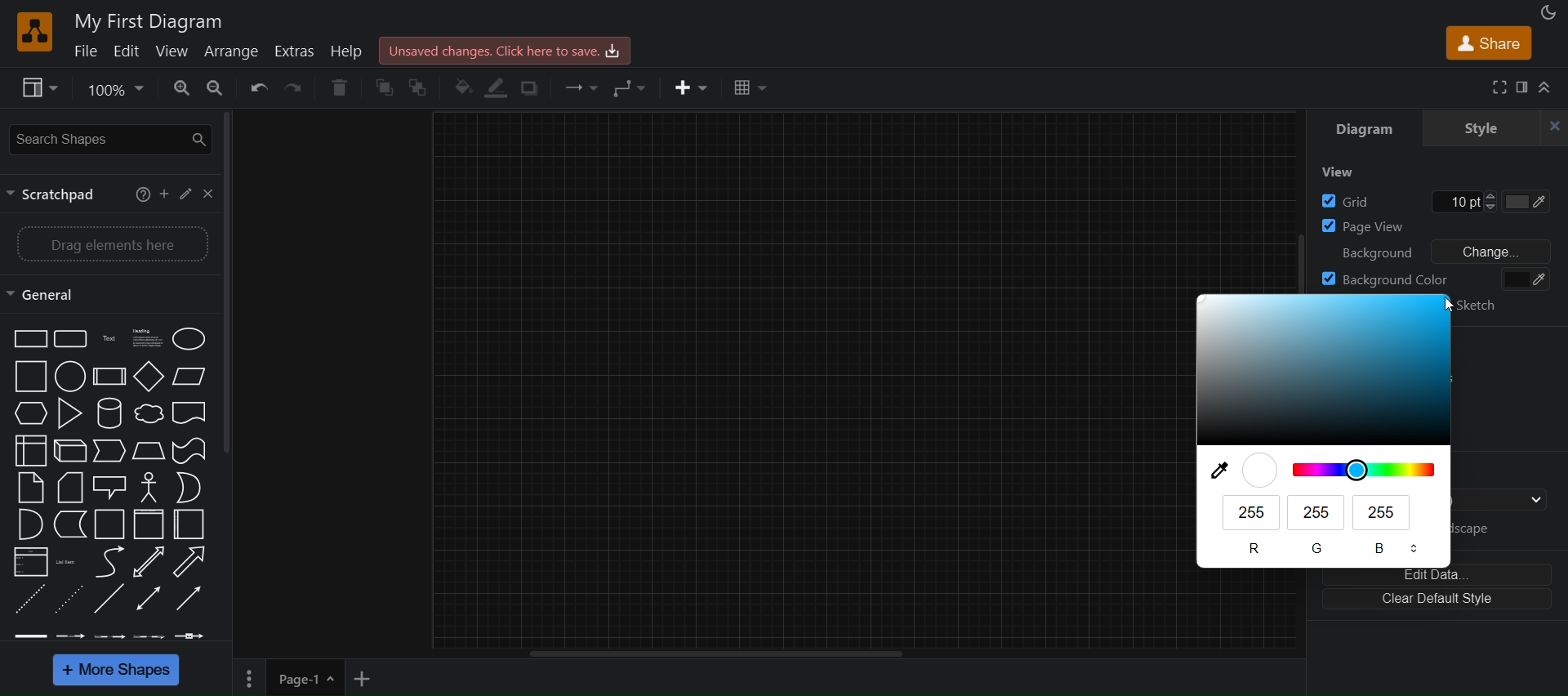 This screenshot has height=696, width=1568. I want to click on linecolor, so click(497, 90).